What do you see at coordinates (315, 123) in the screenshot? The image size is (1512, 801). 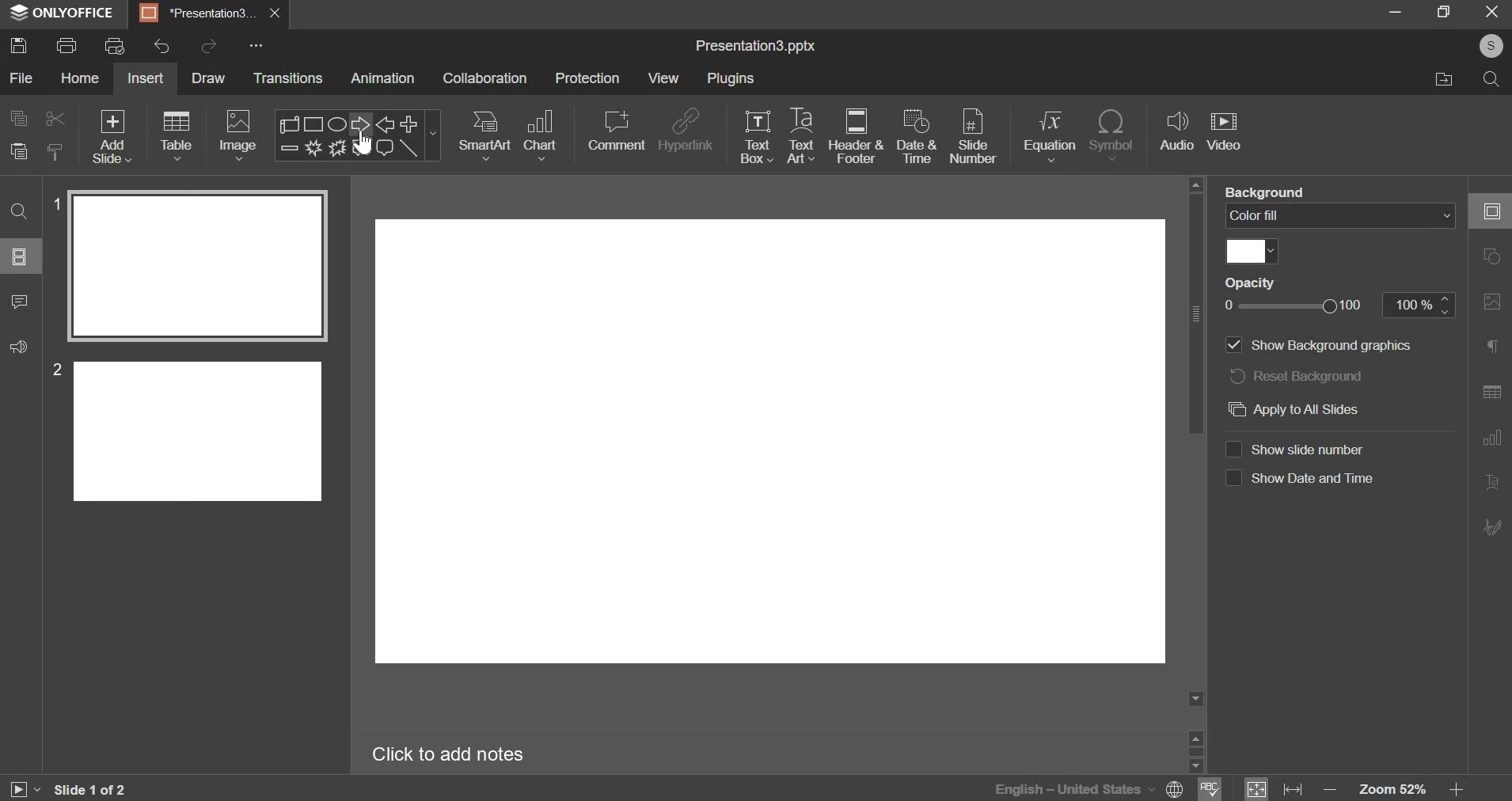 I see `rectangle` at bounding box center [315, 123].